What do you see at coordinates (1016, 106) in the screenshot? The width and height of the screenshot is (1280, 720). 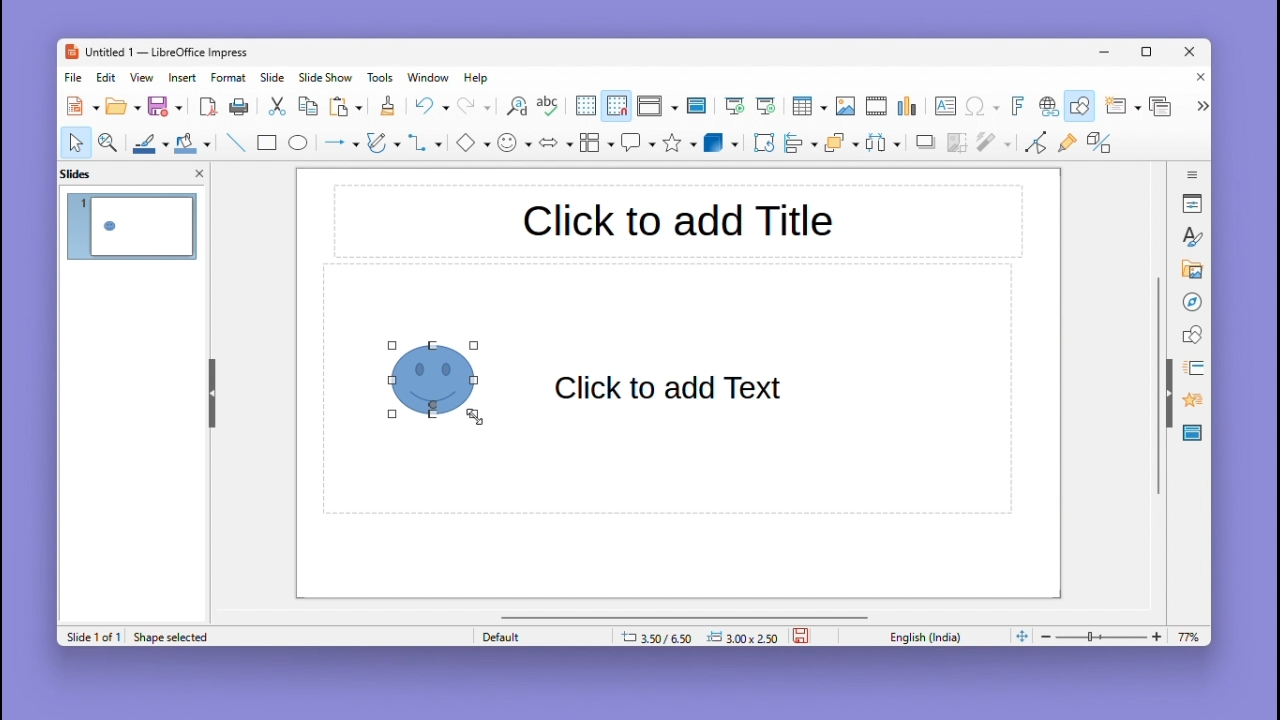 I see `Font work` at bounding box center [1016, 106].